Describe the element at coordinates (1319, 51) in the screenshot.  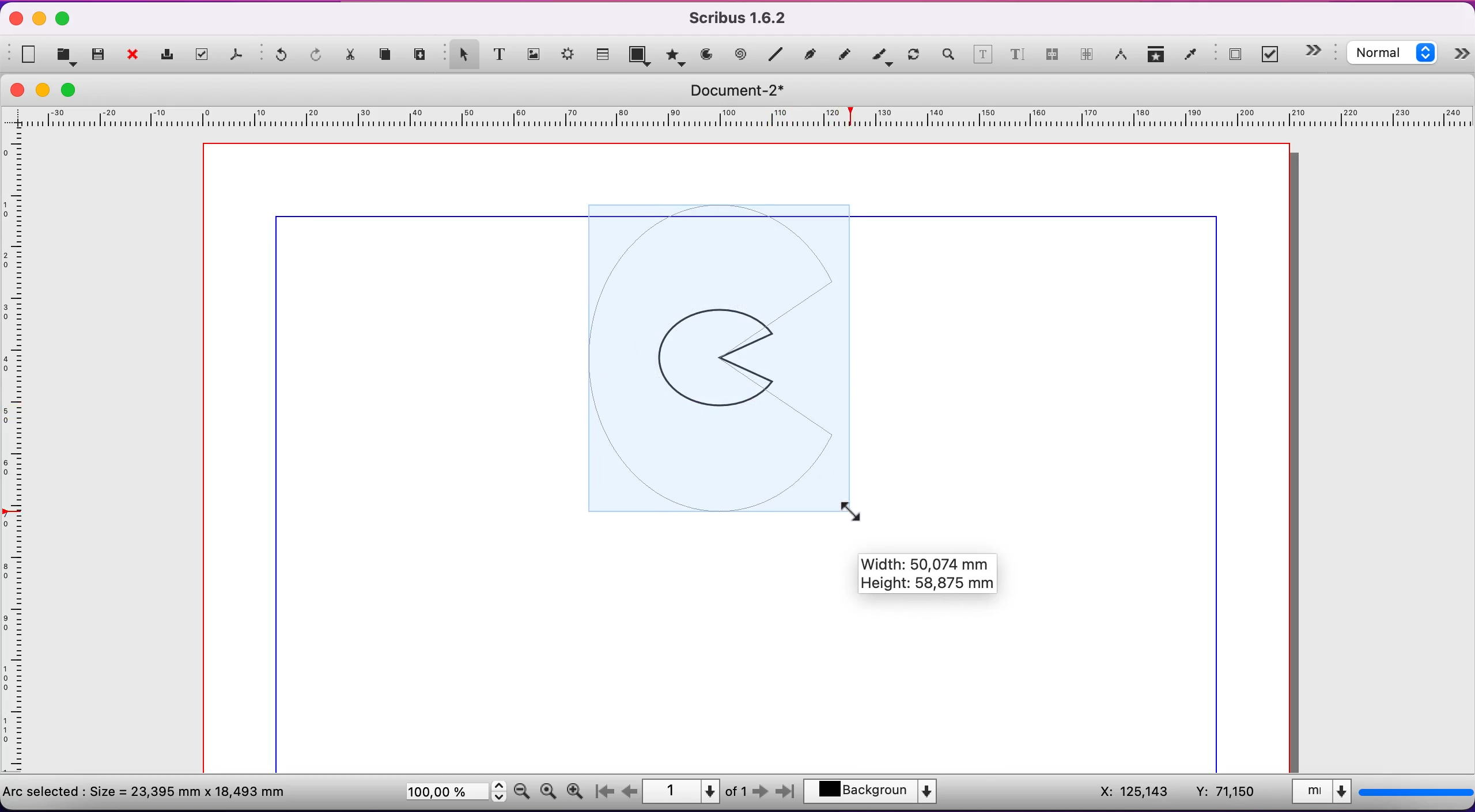
I see `hide/show panel` at that location.